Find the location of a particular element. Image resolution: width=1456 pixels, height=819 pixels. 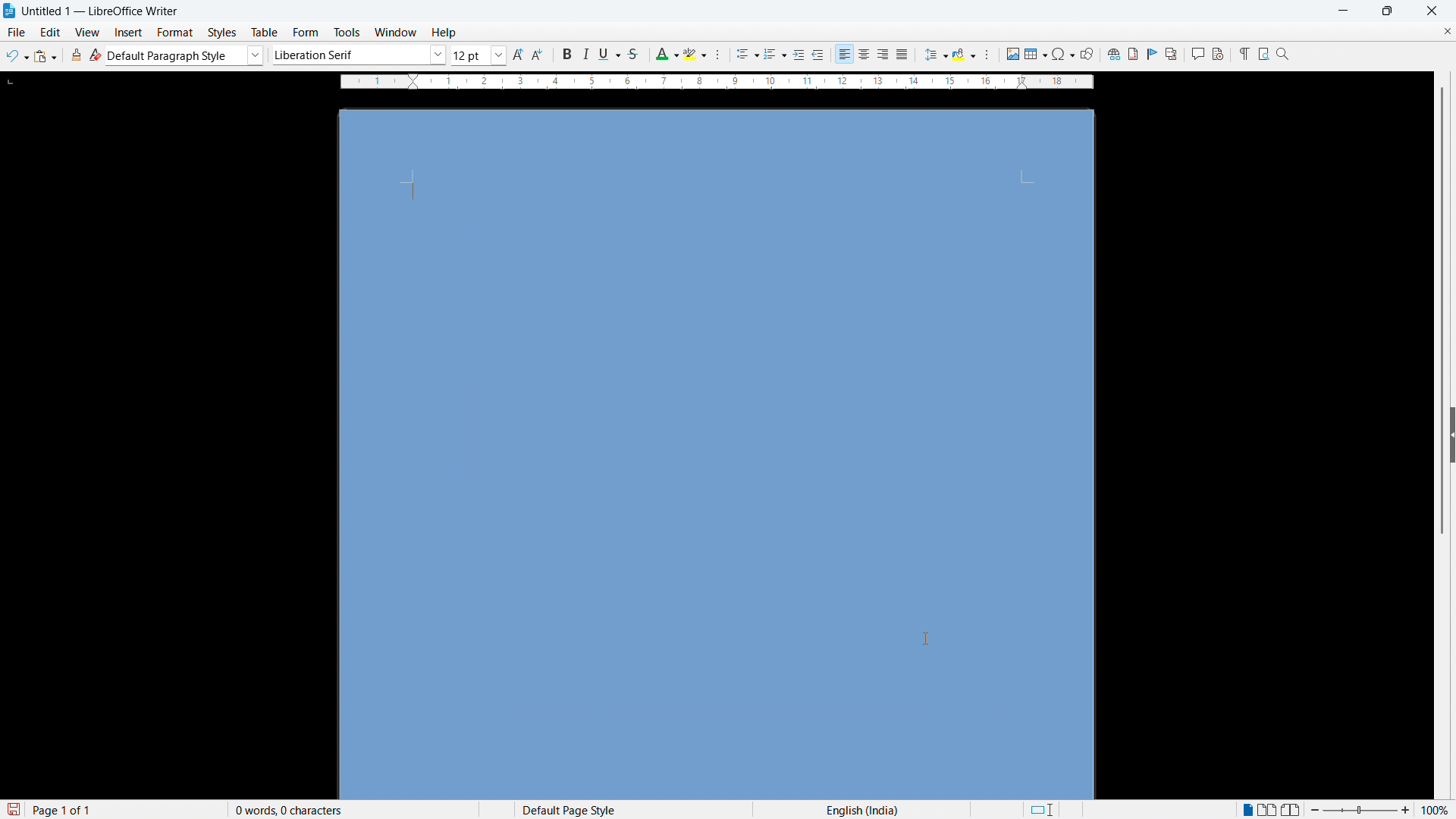

cursor is located at coordinates (927, 640).